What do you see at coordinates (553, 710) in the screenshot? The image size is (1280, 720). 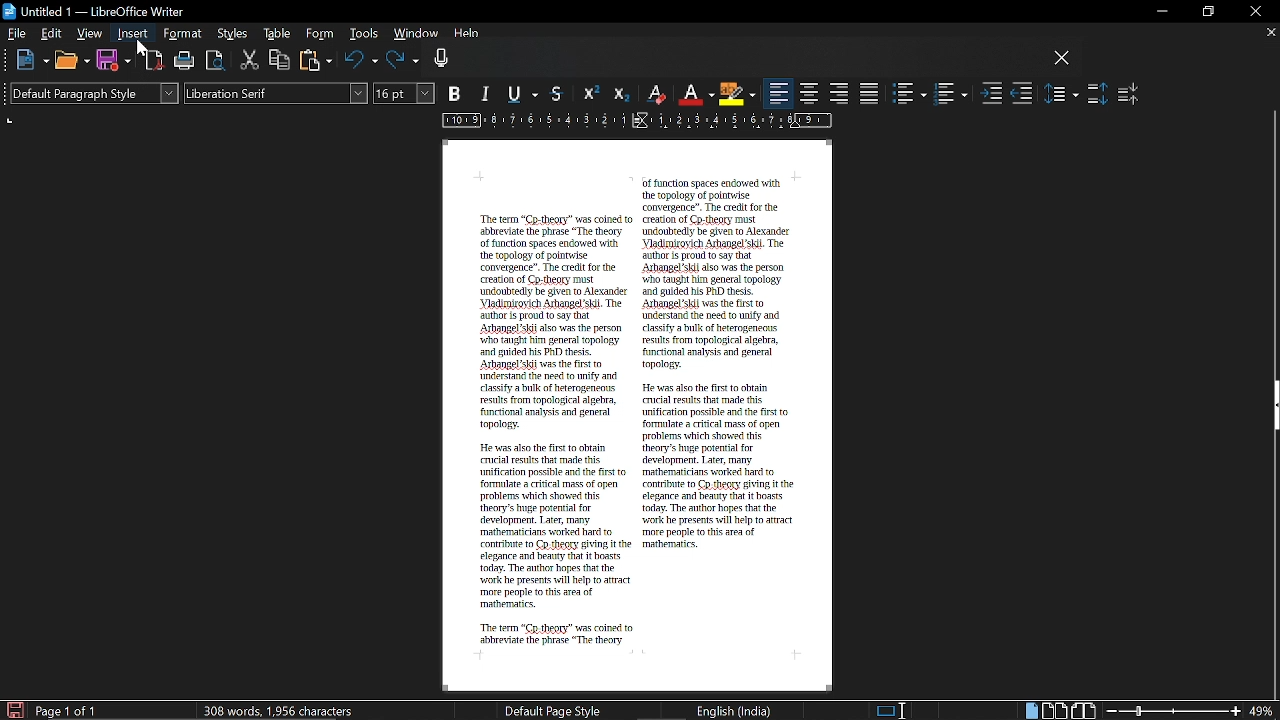 I see `Default page style` at bounding box center [553, 710].